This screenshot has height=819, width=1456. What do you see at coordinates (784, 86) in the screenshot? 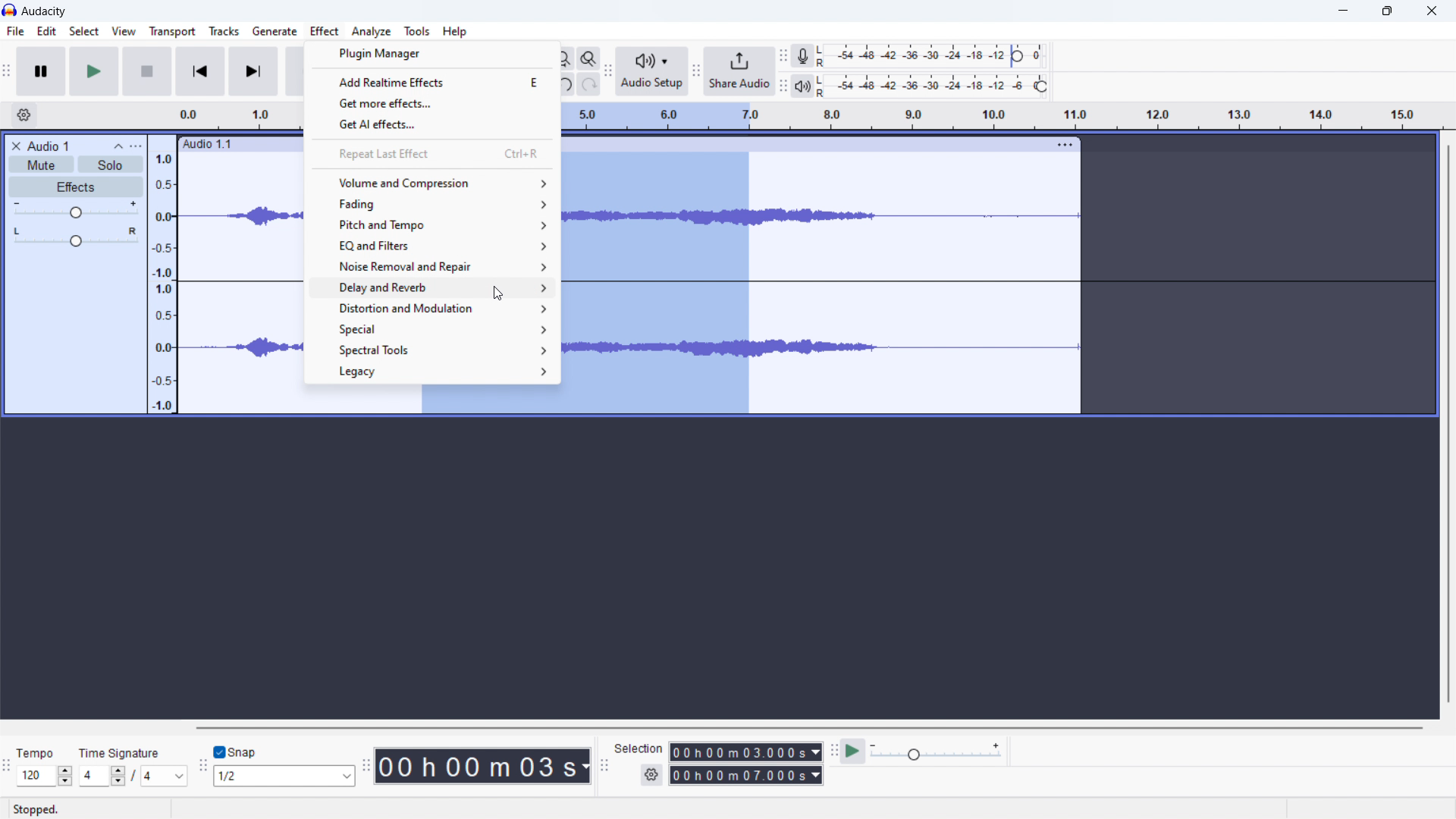
I see `playback meter toolbar` at bounding box center [784, 86].